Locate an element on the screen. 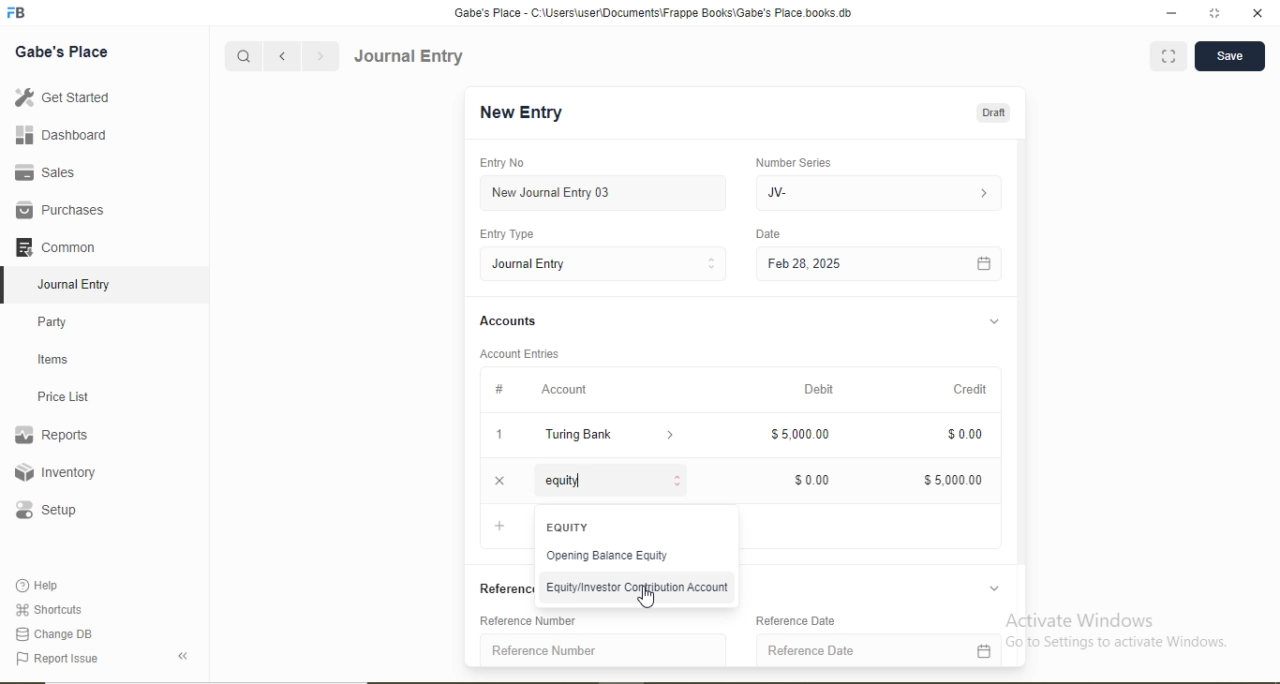  Logo is located at coordinates (17, 13).